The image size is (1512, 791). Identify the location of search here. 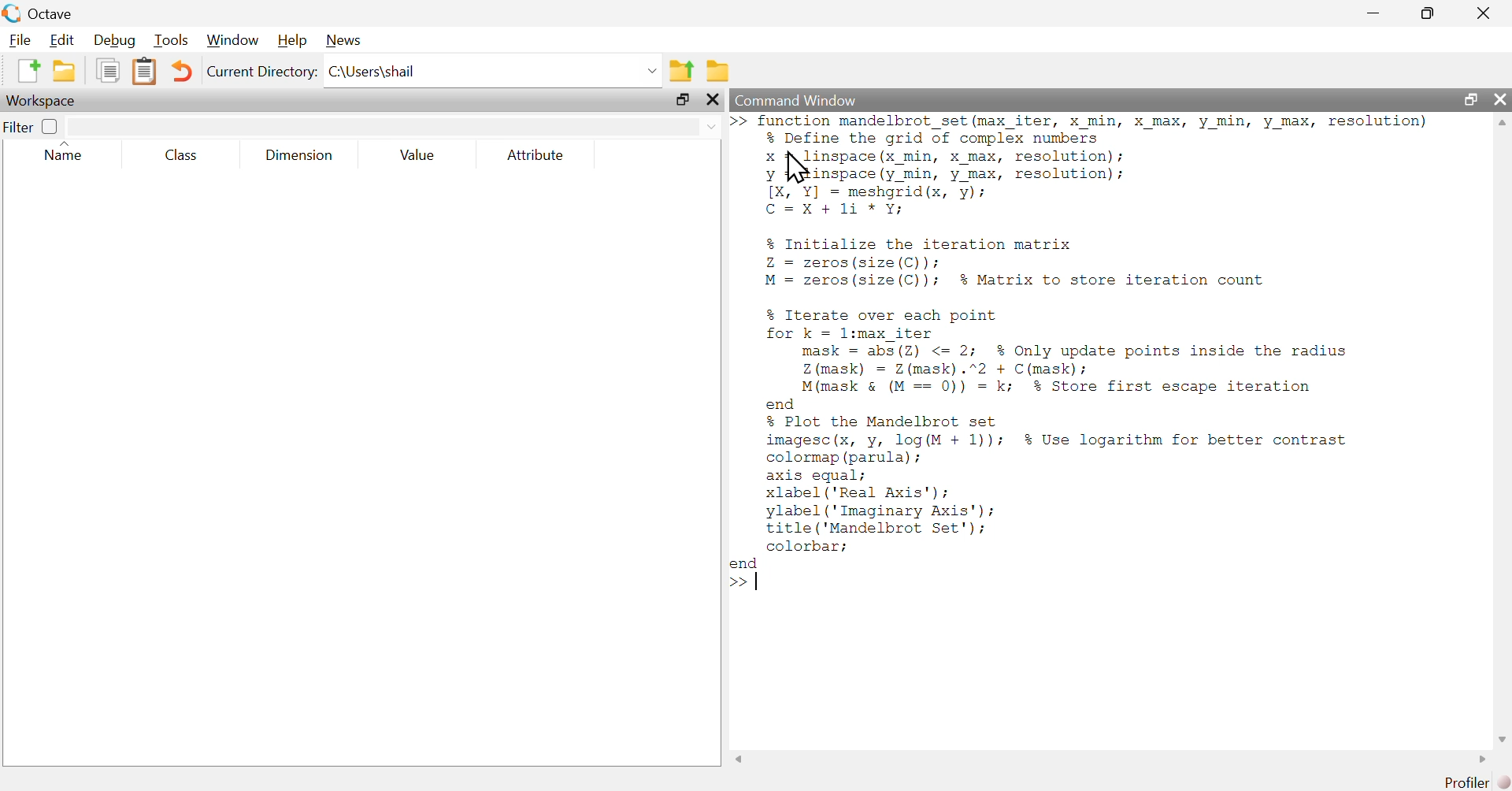
(395, 124).